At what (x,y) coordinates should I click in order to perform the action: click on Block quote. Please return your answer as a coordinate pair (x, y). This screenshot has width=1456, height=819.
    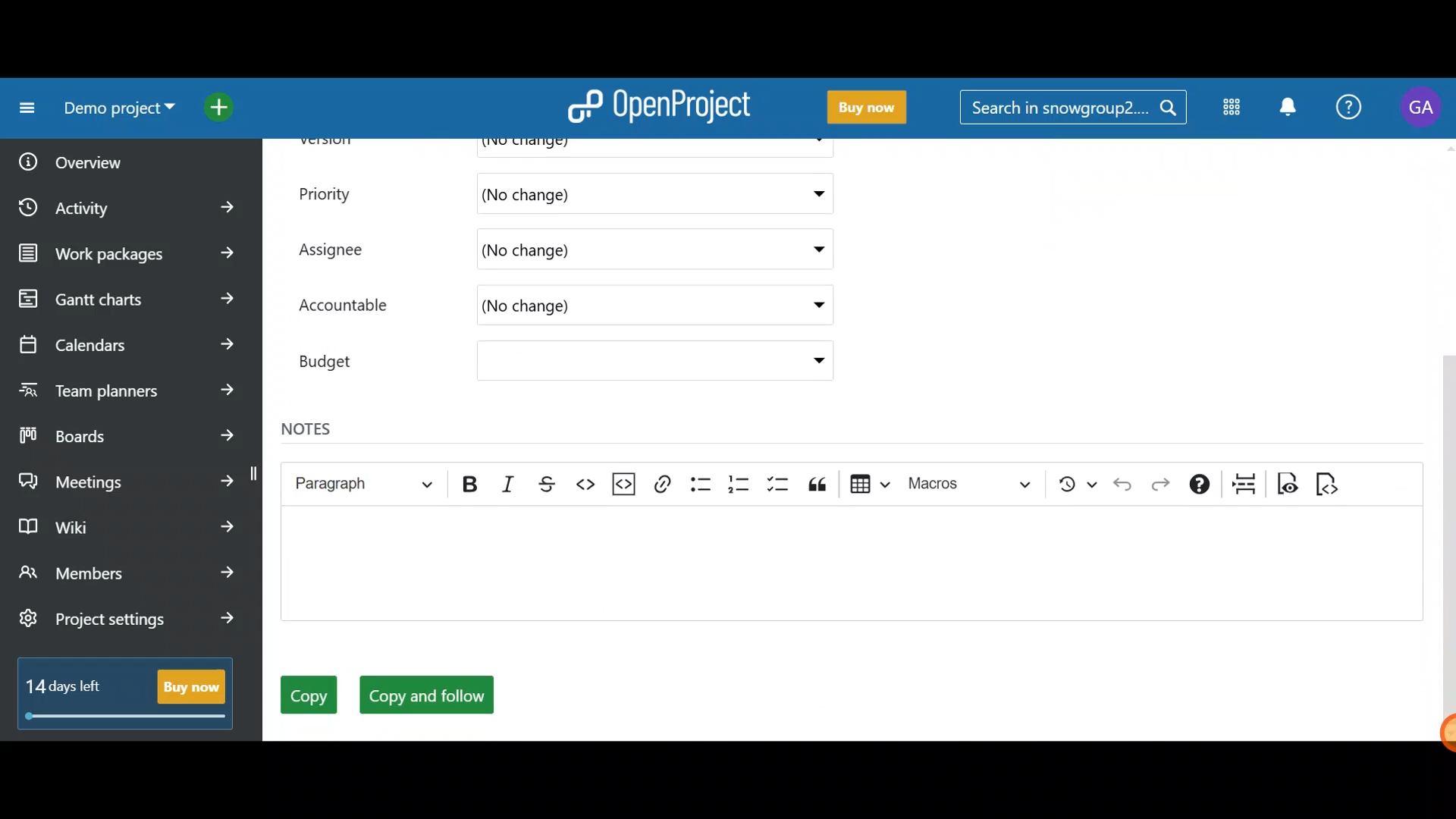
    Looking at the image, I should click on (816, 485).